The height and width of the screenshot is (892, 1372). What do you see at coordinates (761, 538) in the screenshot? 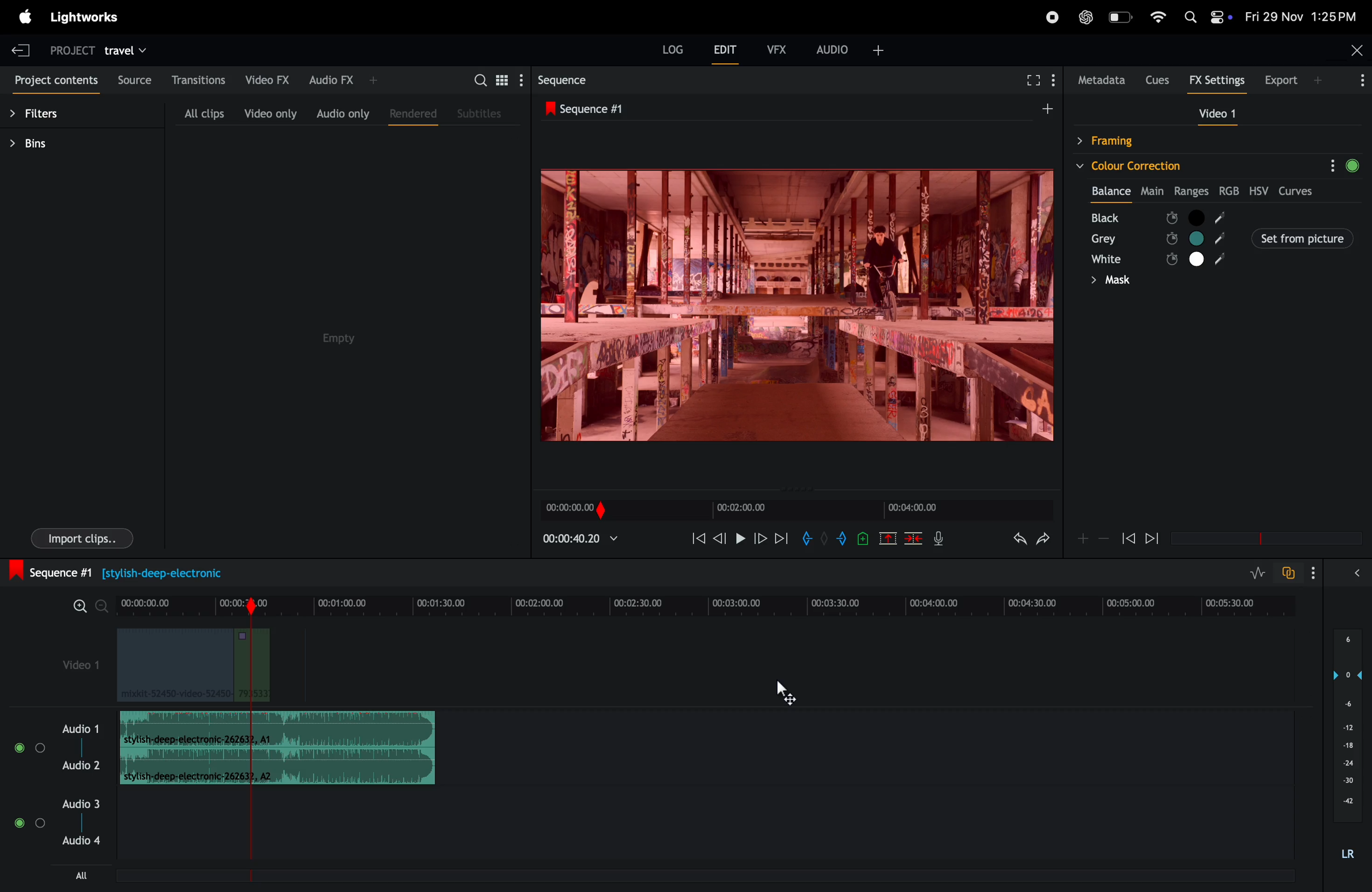
I see `nextframe` at bounding box center [761, 538].